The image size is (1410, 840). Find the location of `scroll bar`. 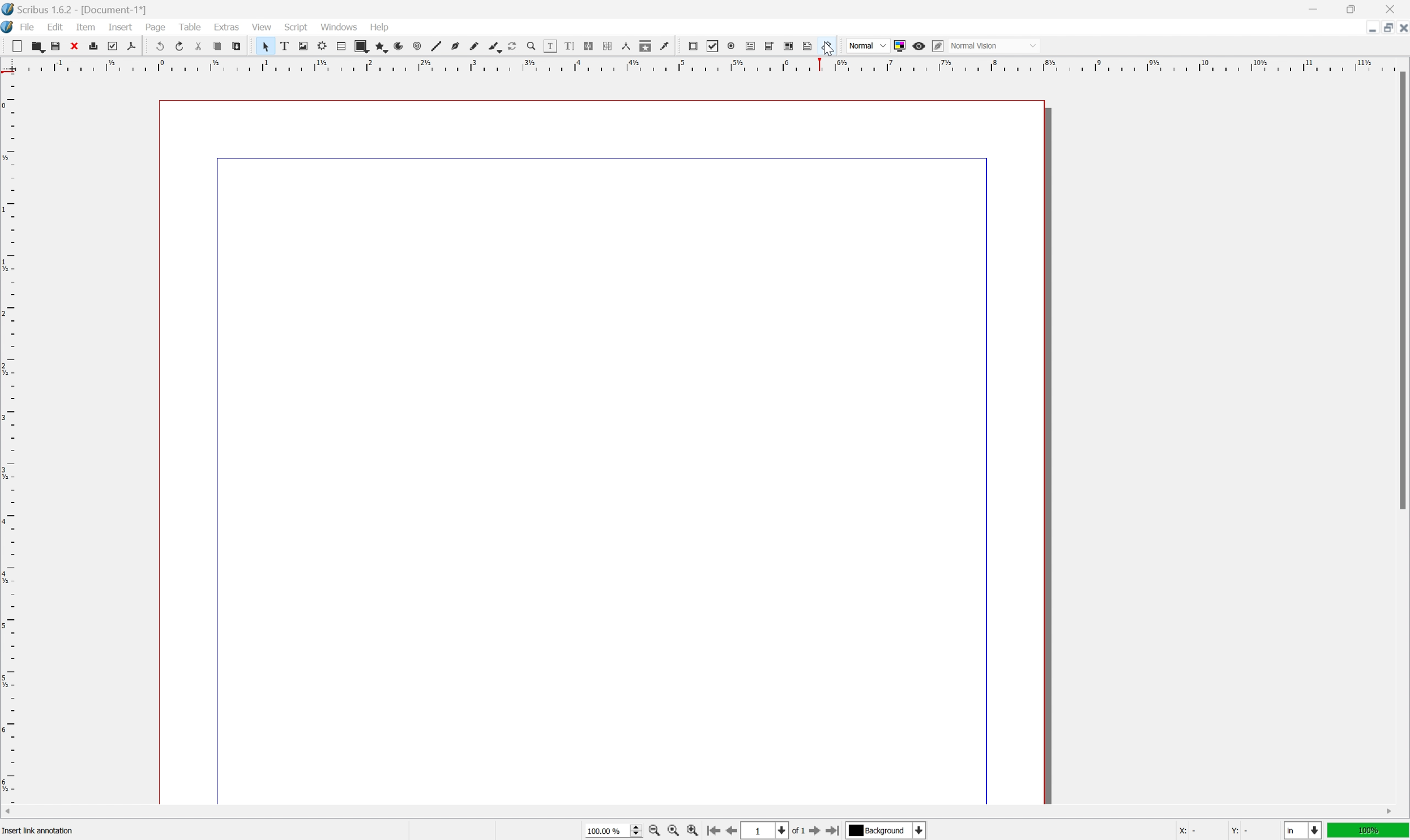

scroll bar is located at coordinates (1401, 290).